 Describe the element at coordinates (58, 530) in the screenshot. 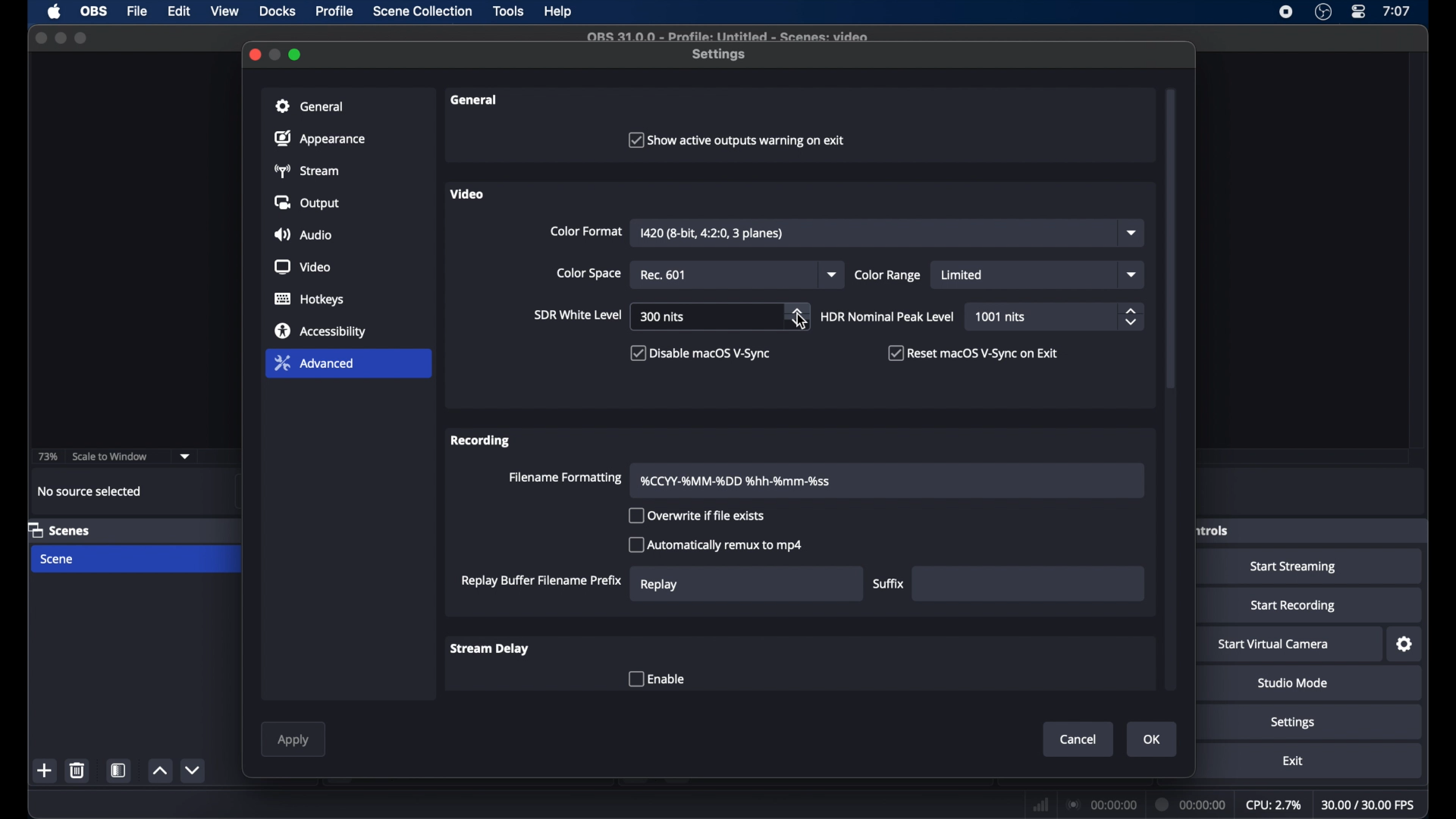

I see `scenes` at that location.